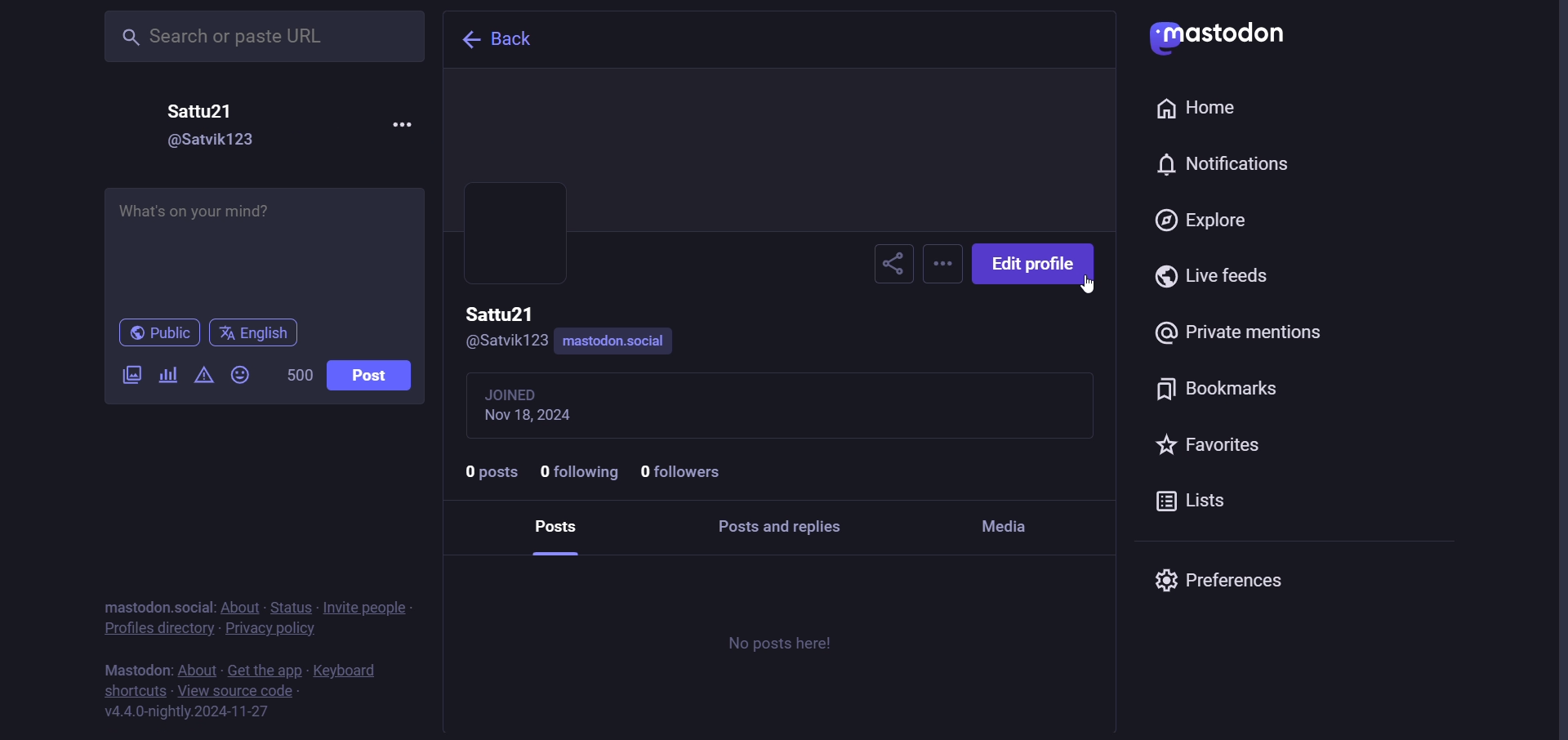 The height and width of the screenshot is (740, 1568). Describe the element at coordinates (193, 606) in the screenshot. I see `social` at that location.